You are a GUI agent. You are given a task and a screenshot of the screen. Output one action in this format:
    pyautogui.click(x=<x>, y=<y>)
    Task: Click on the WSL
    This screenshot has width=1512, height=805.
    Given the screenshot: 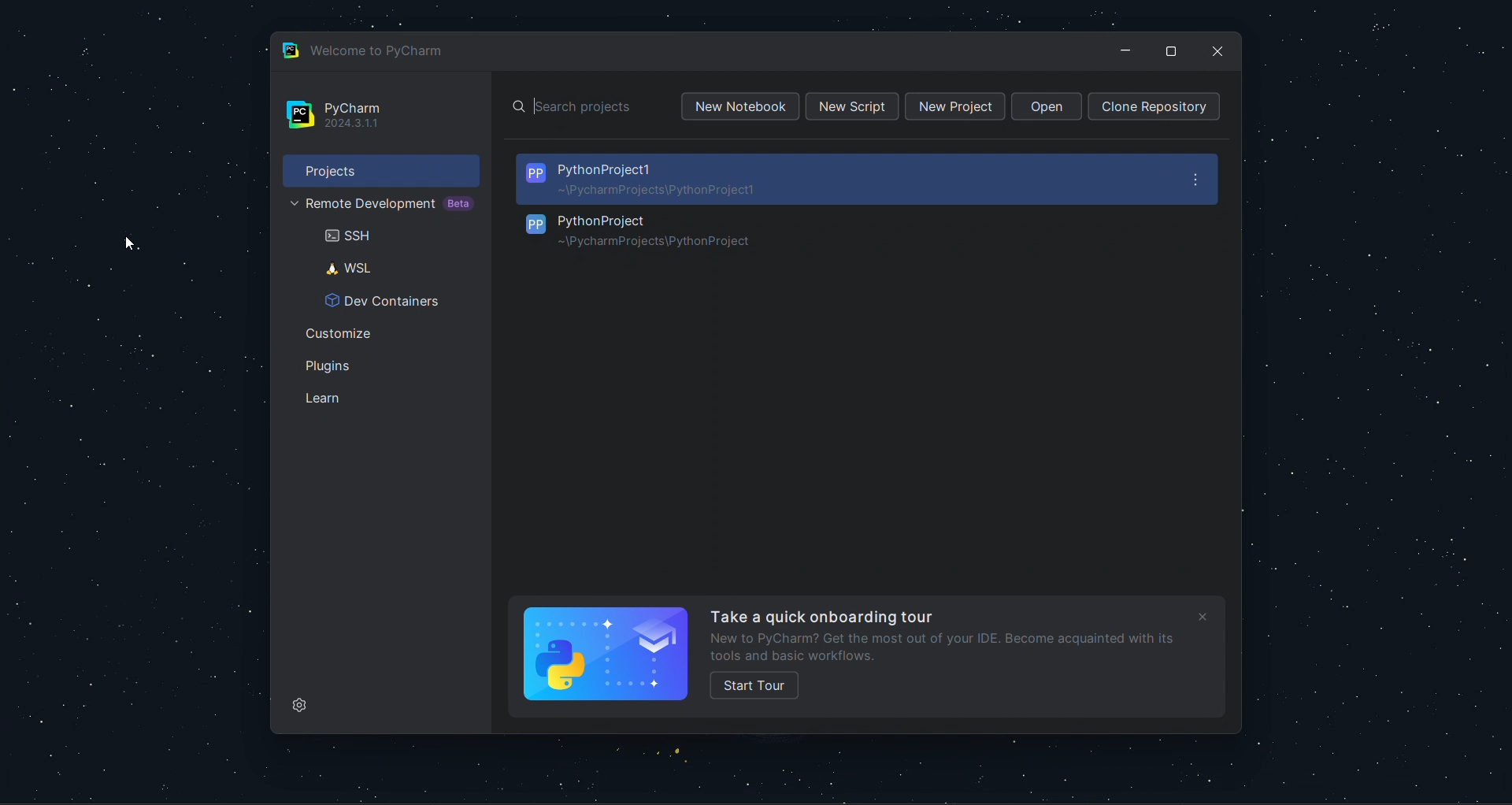 What is the action you would take?
    pyautogui.click(x=391, y=268)
    